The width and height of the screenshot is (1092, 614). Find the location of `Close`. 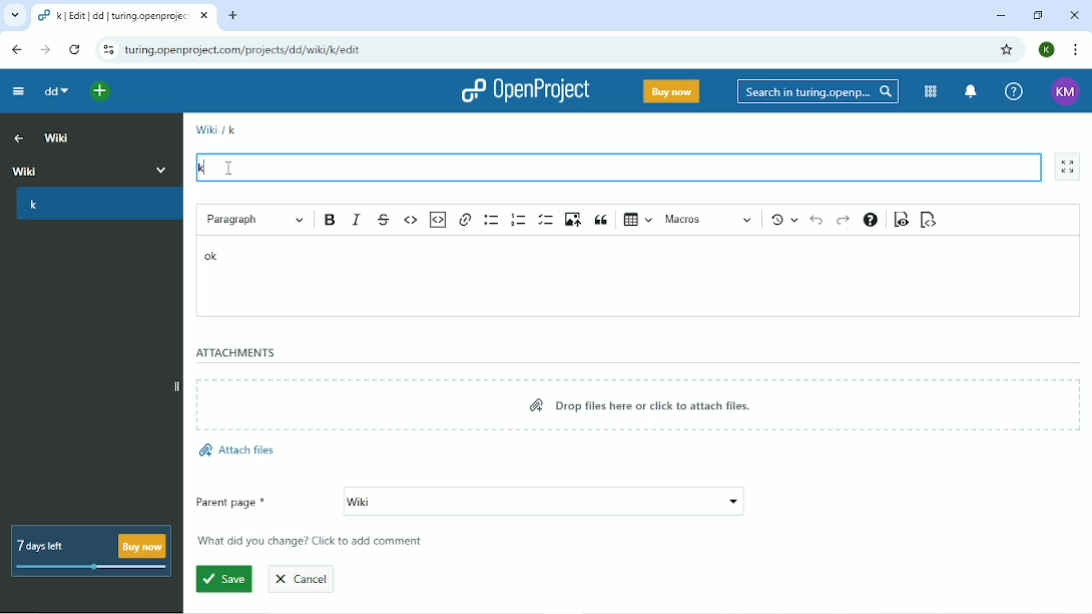

Close is located at coordinates (1073, 15).